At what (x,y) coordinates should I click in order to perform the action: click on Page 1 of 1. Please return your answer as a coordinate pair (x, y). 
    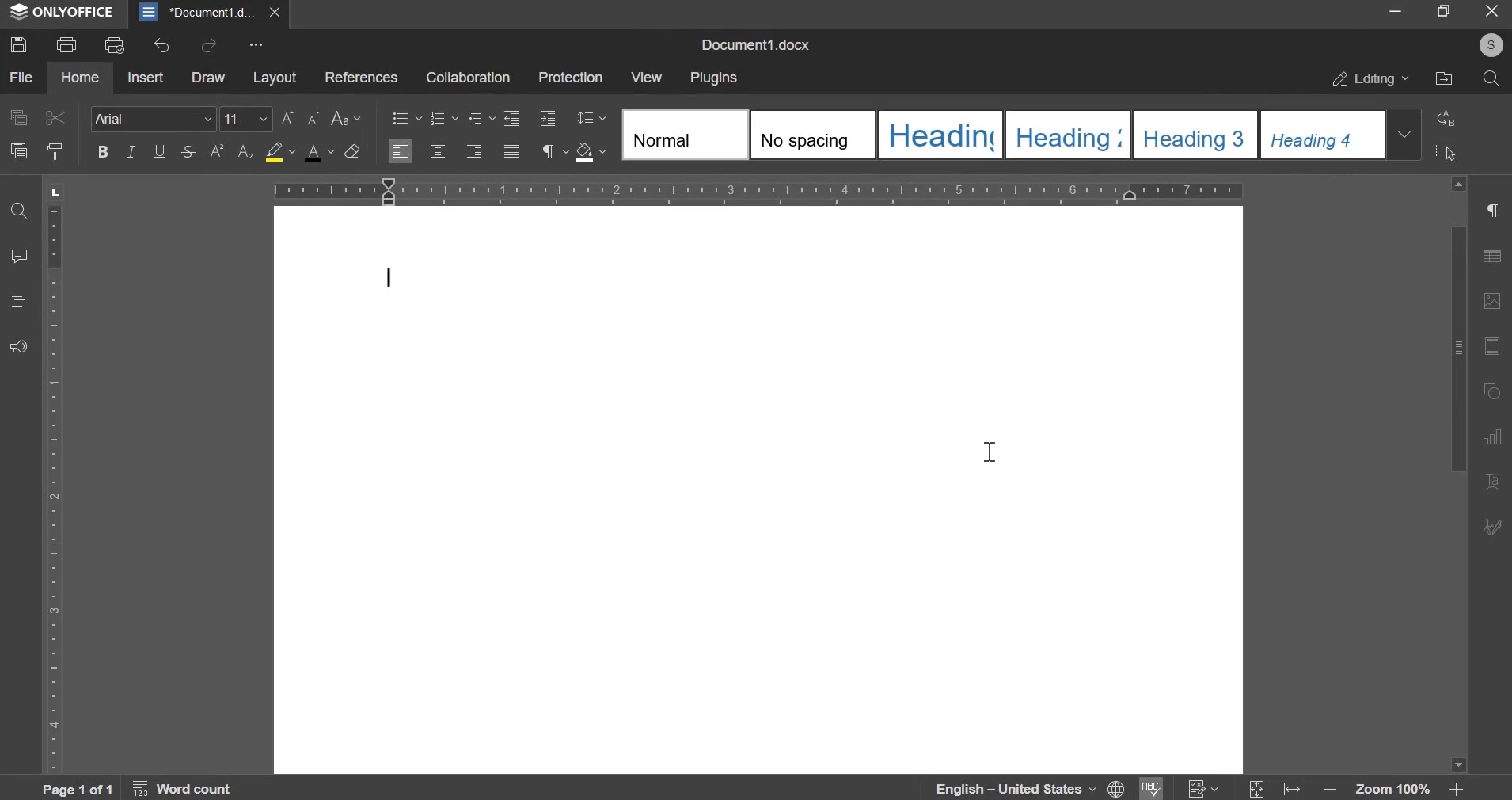
    Looking at the image, I should click on (72, 787).